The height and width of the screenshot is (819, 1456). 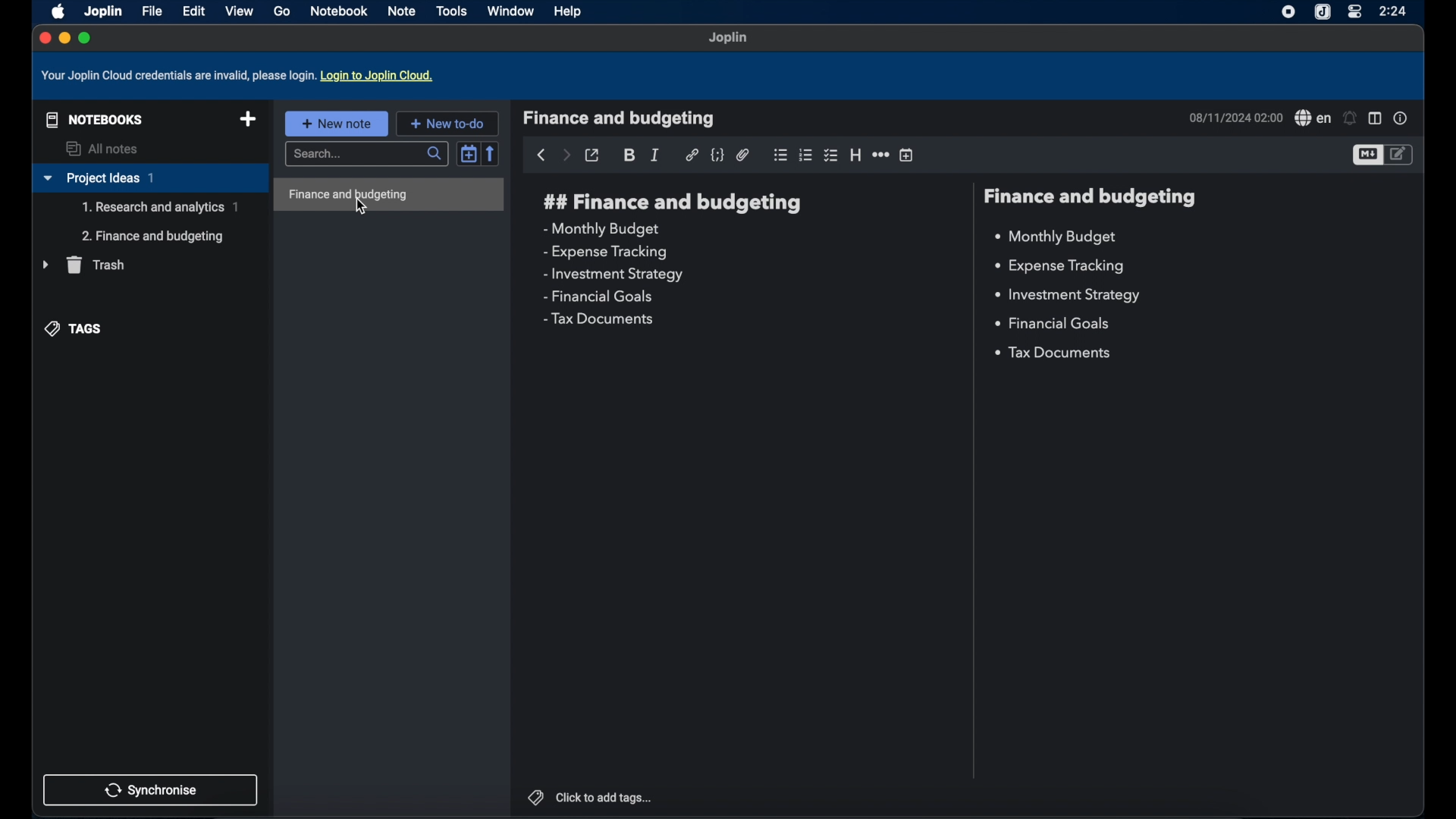 I want to click on heading, so click(x=855, y=155).